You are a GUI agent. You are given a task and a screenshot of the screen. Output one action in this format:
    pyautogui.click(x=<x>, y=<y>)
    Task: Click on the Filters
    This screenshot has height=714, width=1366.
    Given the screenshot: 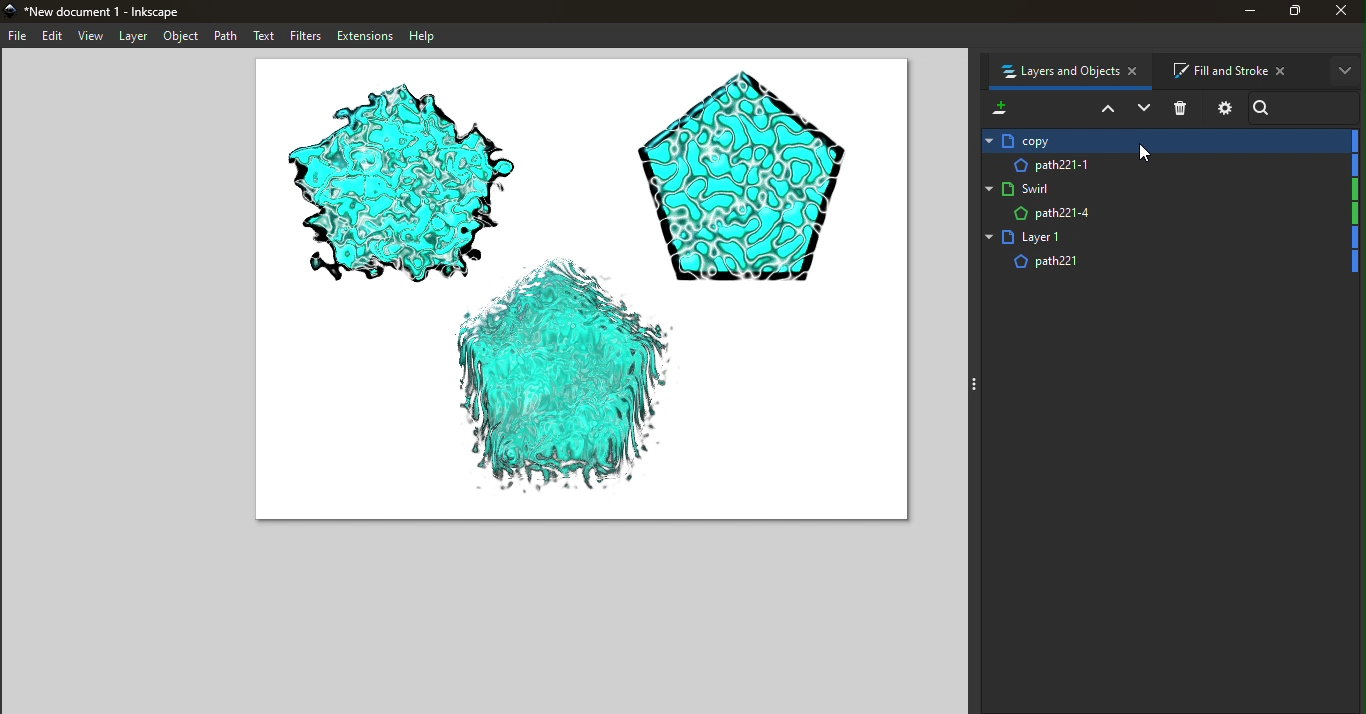 What is the action you would take?
    pyautogui.click(x=306, y=36)
    